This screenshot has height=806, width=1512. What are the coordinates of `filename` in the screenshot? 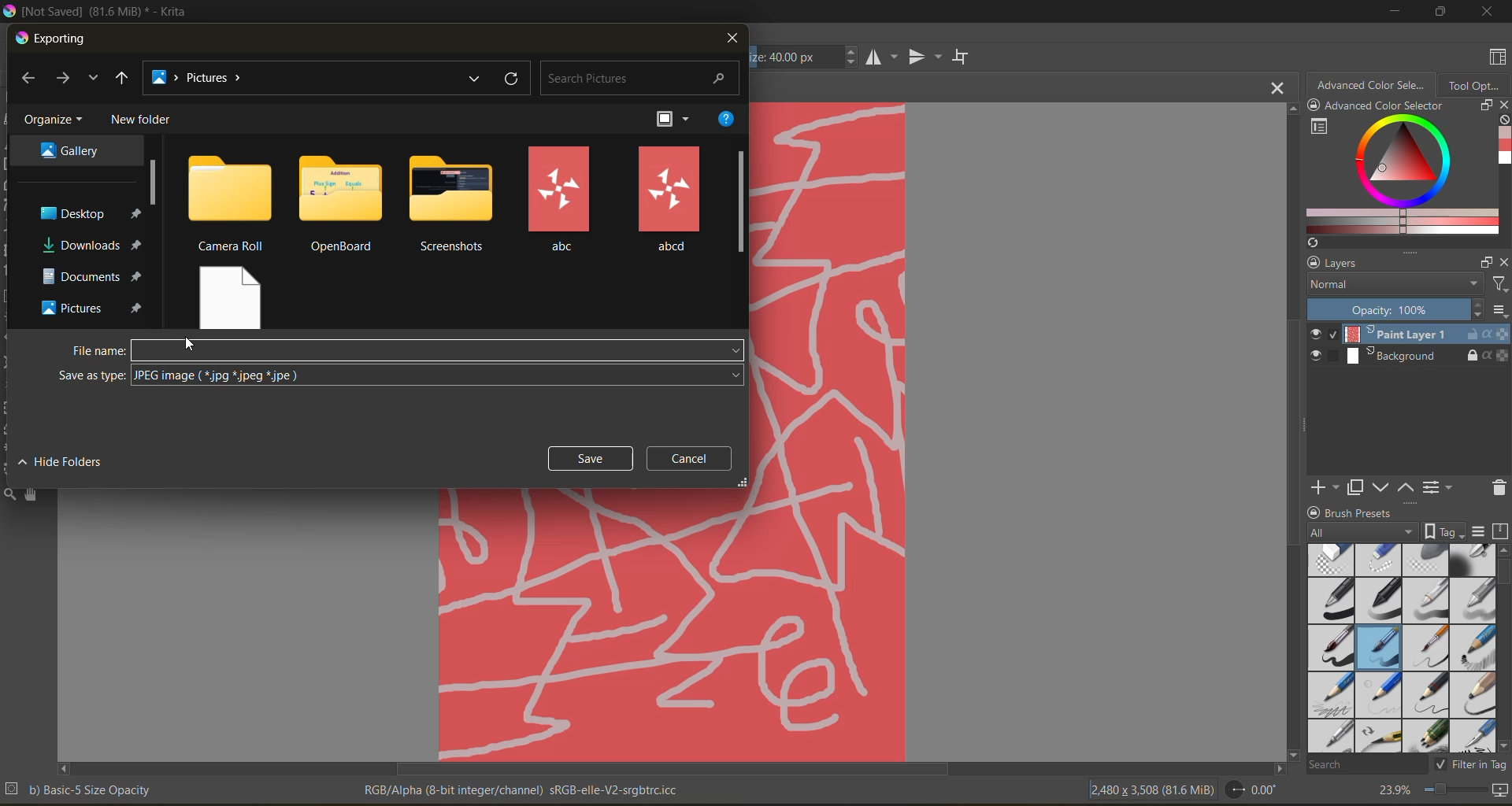 It's located at (99, 351).